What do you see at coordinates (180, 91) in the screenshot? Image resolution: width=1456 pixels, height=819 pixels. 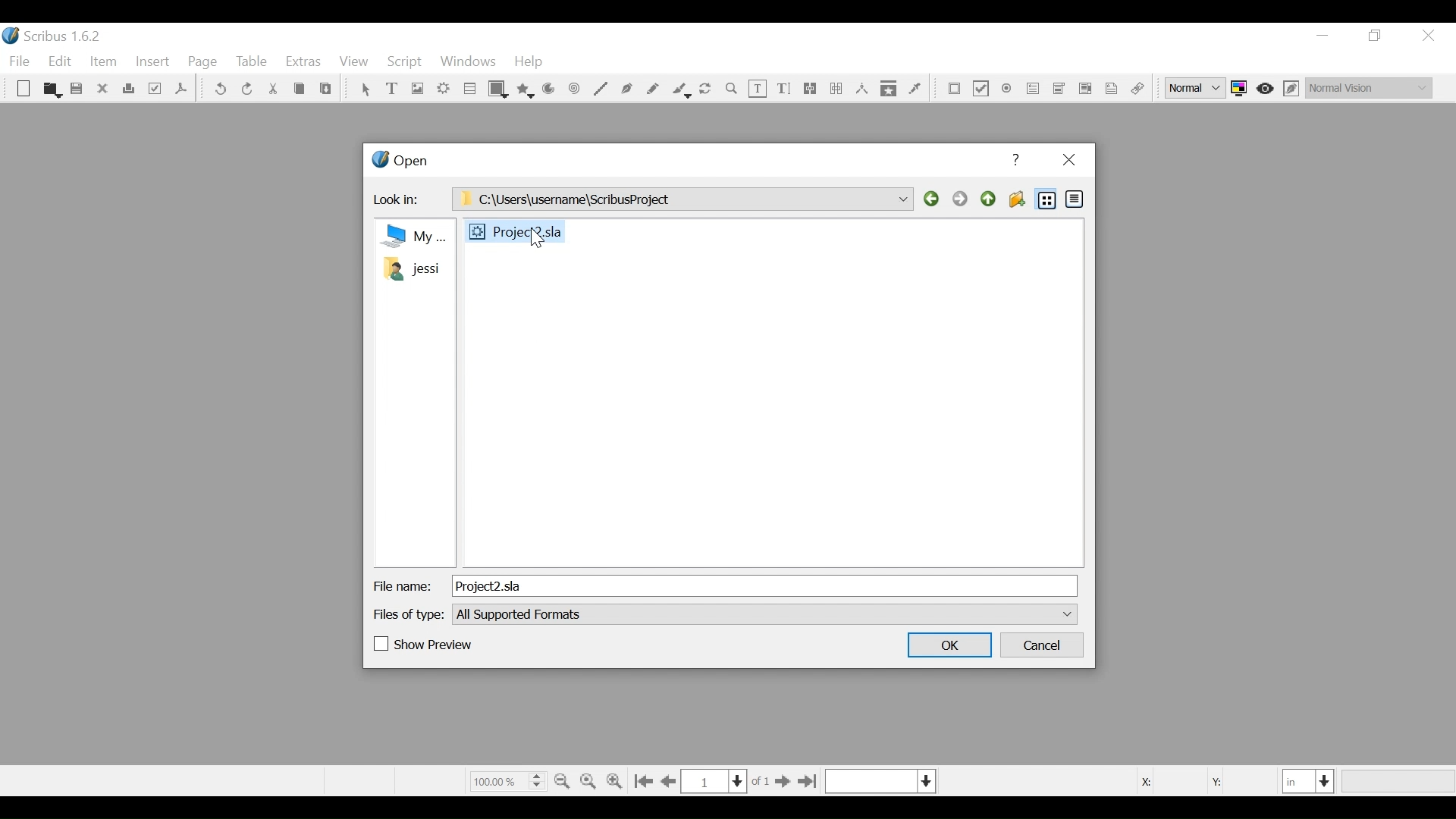 I see `Save as PDF` at bounding box center [180, 91].